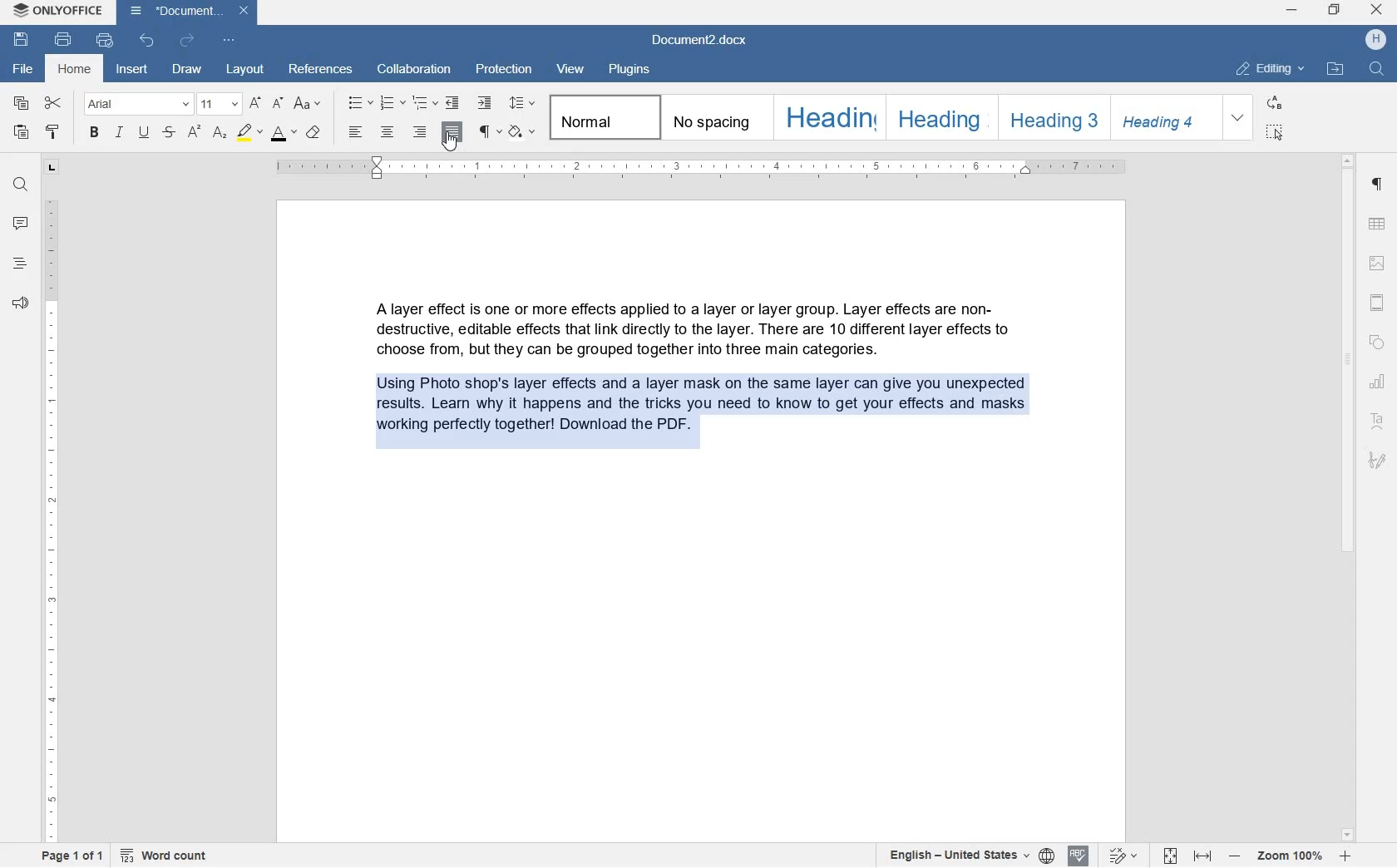  Describe the element at coordinates (190, 70) in the screenshot. I see `DRAW` at that location.